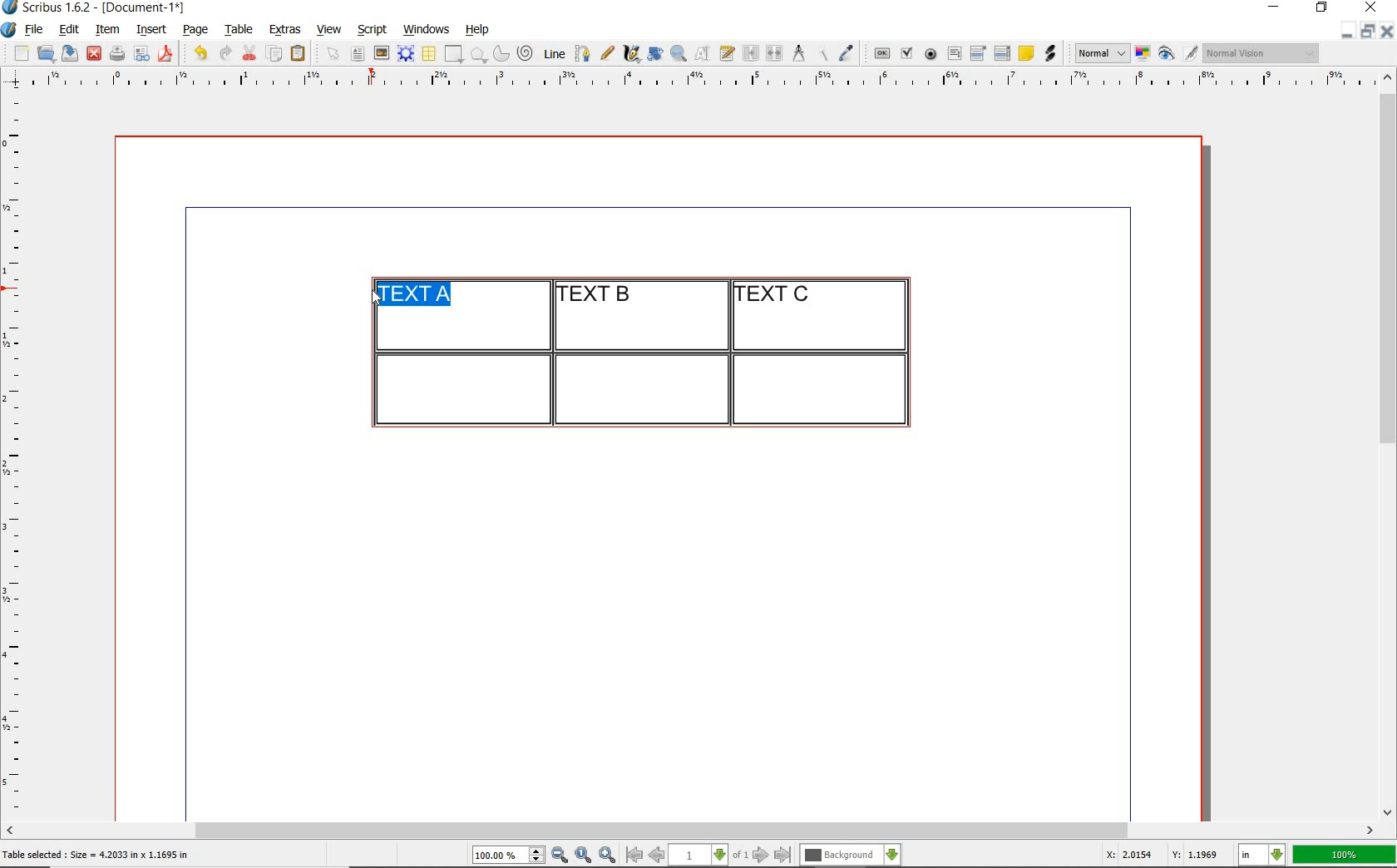 This screenshot has width=1397, height=868. Describe the element at coordinates (67, 53) in the screenshot. I see `save` at that location.